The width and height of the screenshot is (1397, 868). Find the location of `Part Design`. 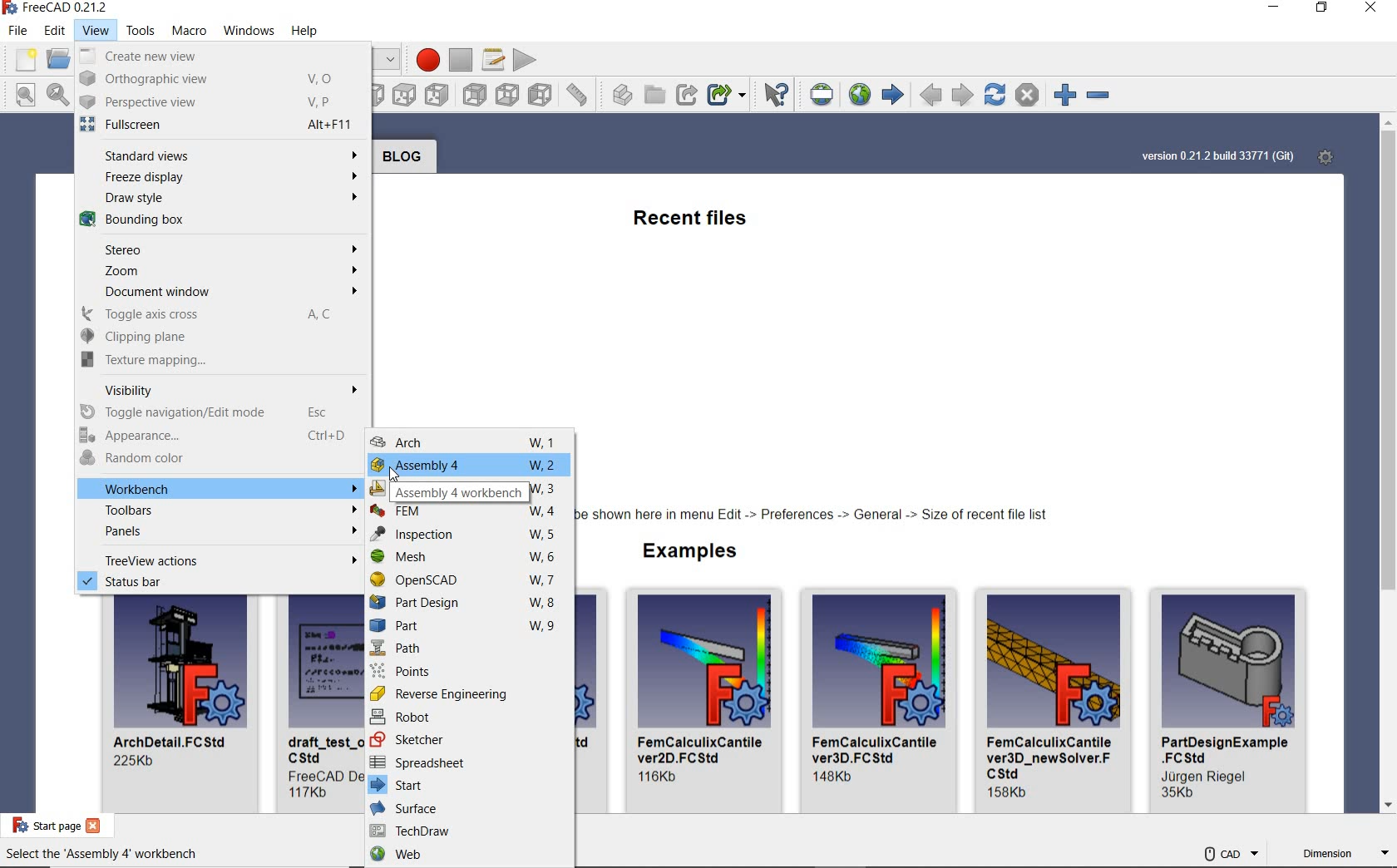

Part Design is located at coordinates (466, 602).